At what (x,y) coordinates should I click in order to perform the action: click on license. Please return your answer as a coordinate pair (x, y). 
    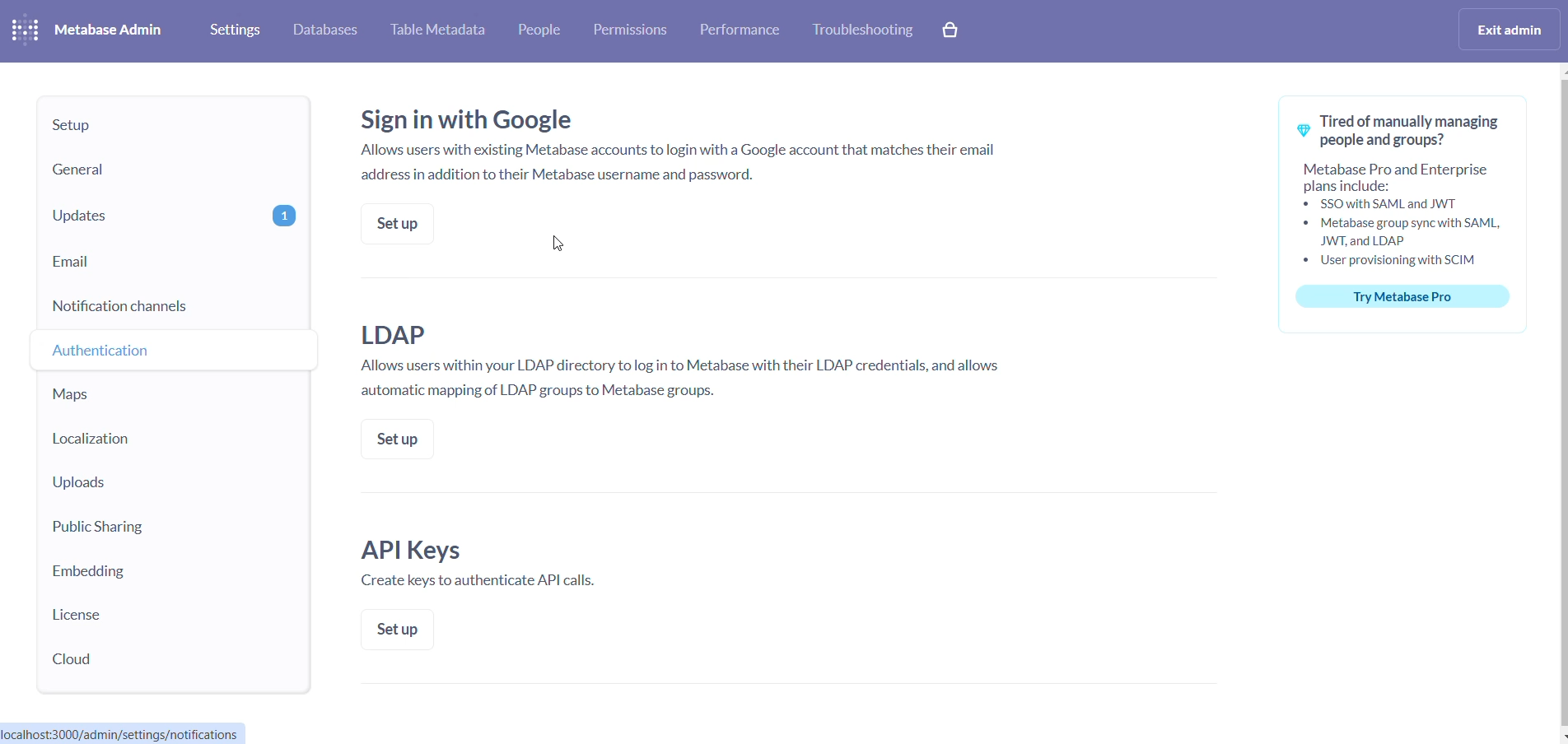
    Looking at the image, I should click on (112, 611).